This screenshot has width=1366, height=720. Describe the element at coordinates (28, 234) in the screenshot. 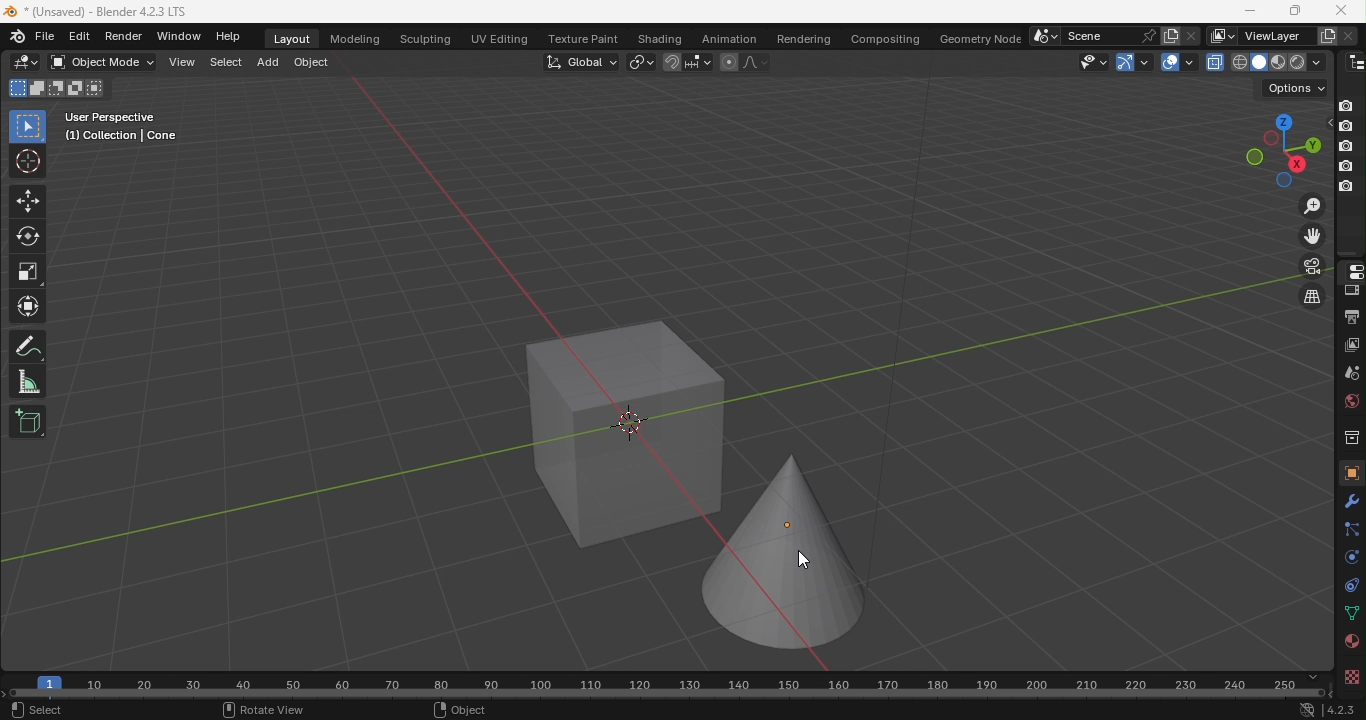

I see `Roatate` at that location.